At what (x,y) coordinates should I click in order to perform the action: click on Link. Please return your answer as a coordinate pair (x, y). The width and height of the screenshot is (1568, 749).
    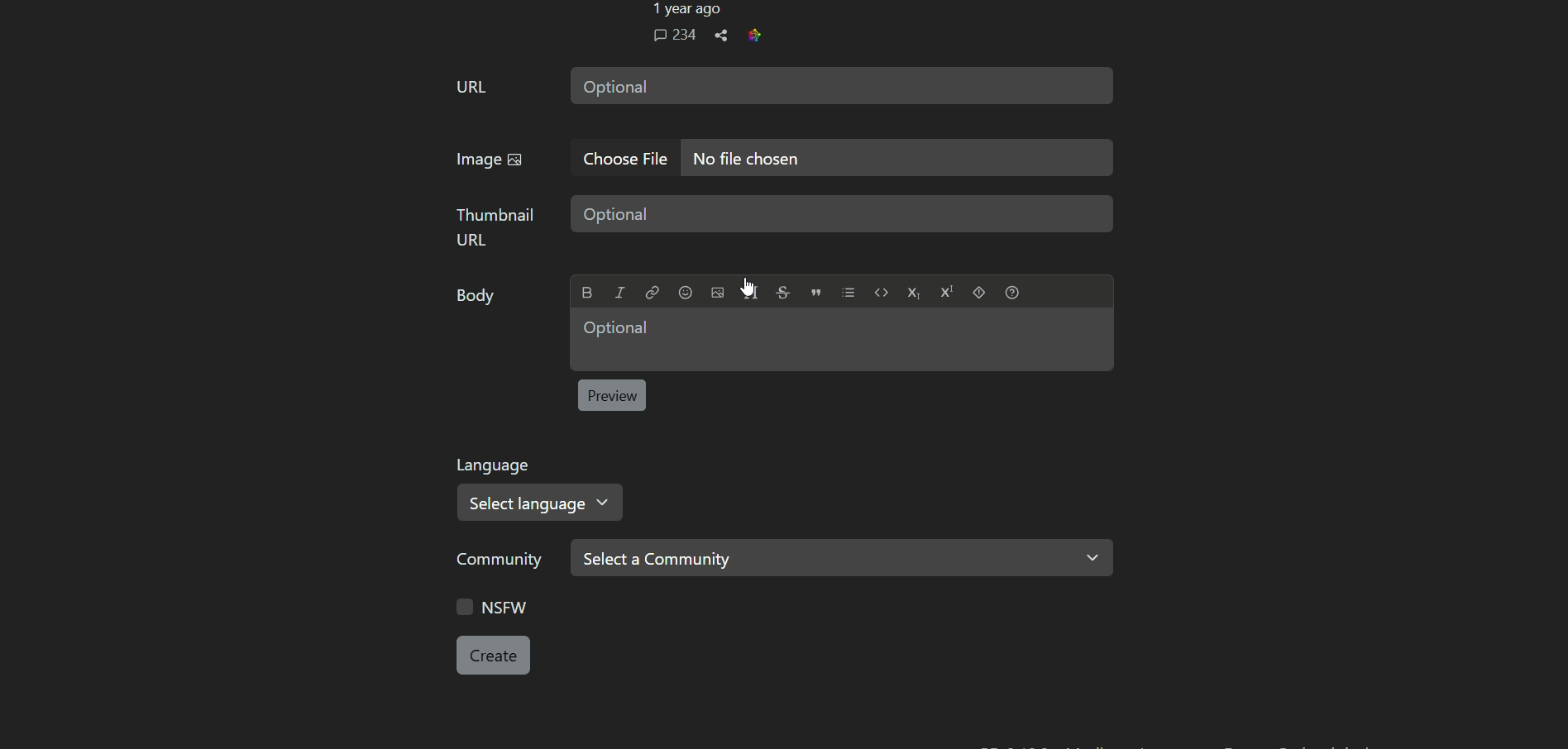
    Looking at the image, I should click on (652, 293).